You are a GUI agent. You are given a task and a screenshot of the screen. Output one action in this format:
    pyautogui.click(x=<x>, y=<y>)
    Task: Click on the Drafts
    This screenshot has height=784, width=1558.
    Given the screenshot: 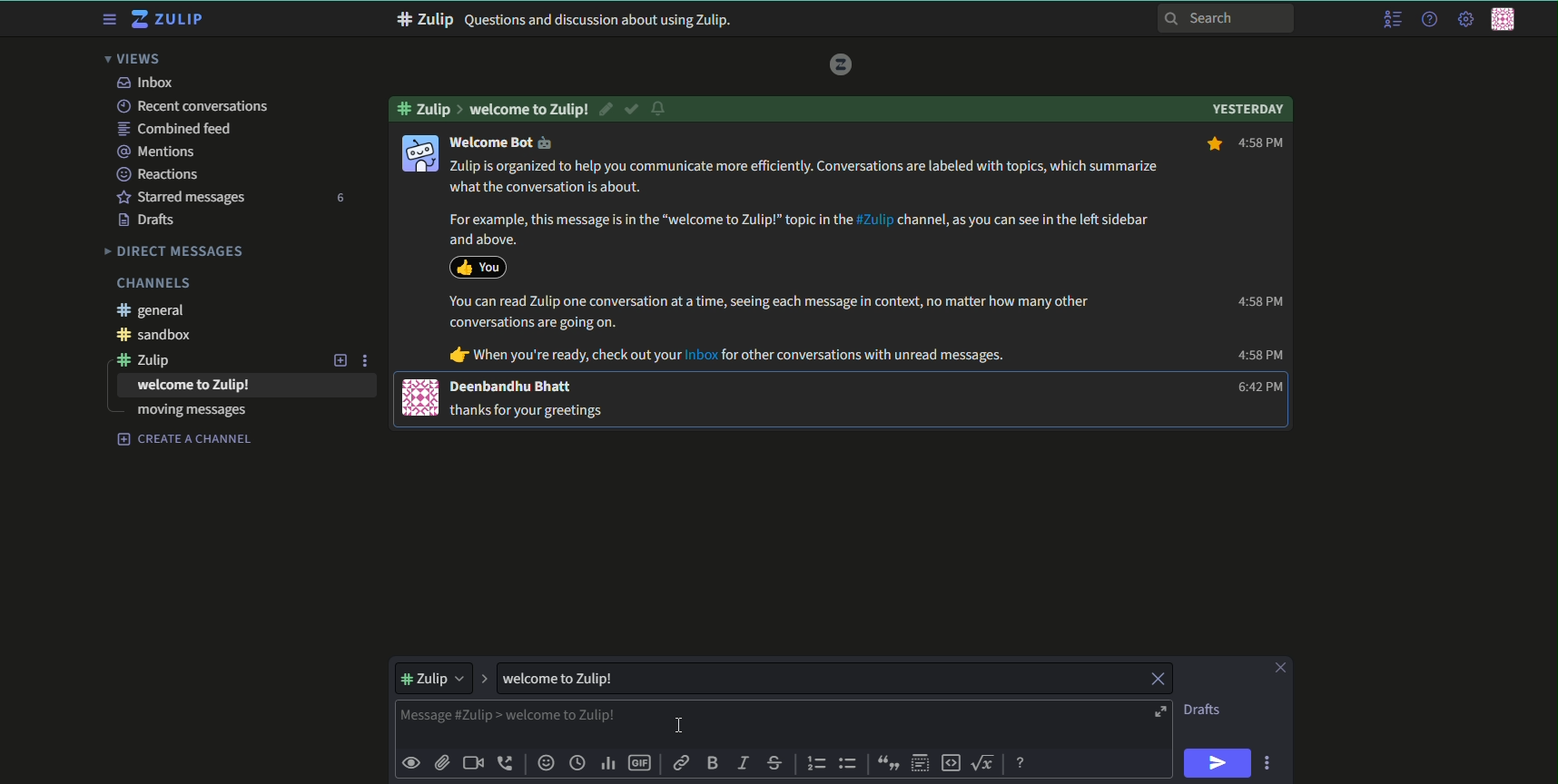 What is the action you would take?
    pyautogui.click(x=149, y=220)
    